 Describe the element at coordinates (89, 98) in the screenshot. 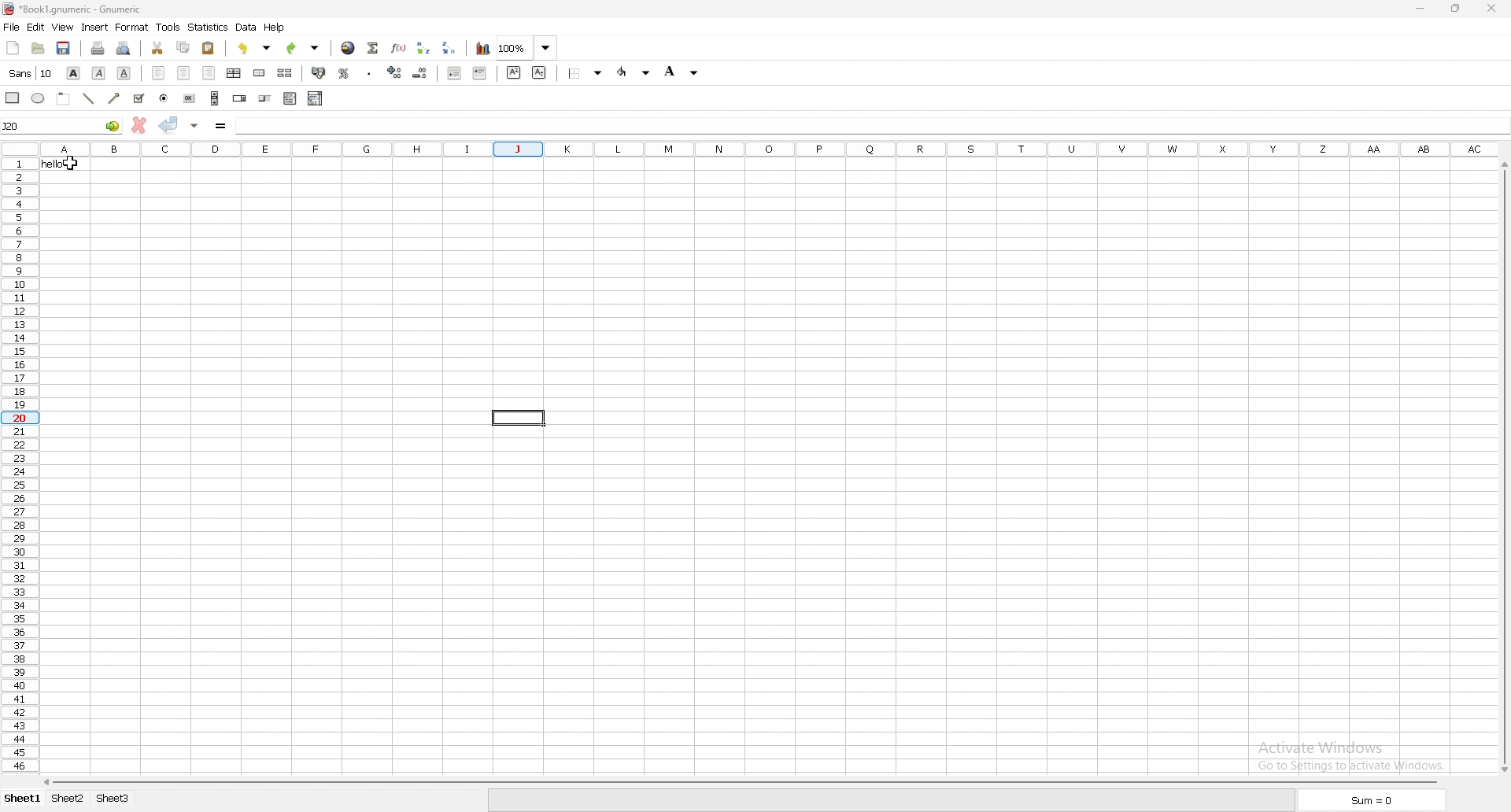

I see `line` at that location.